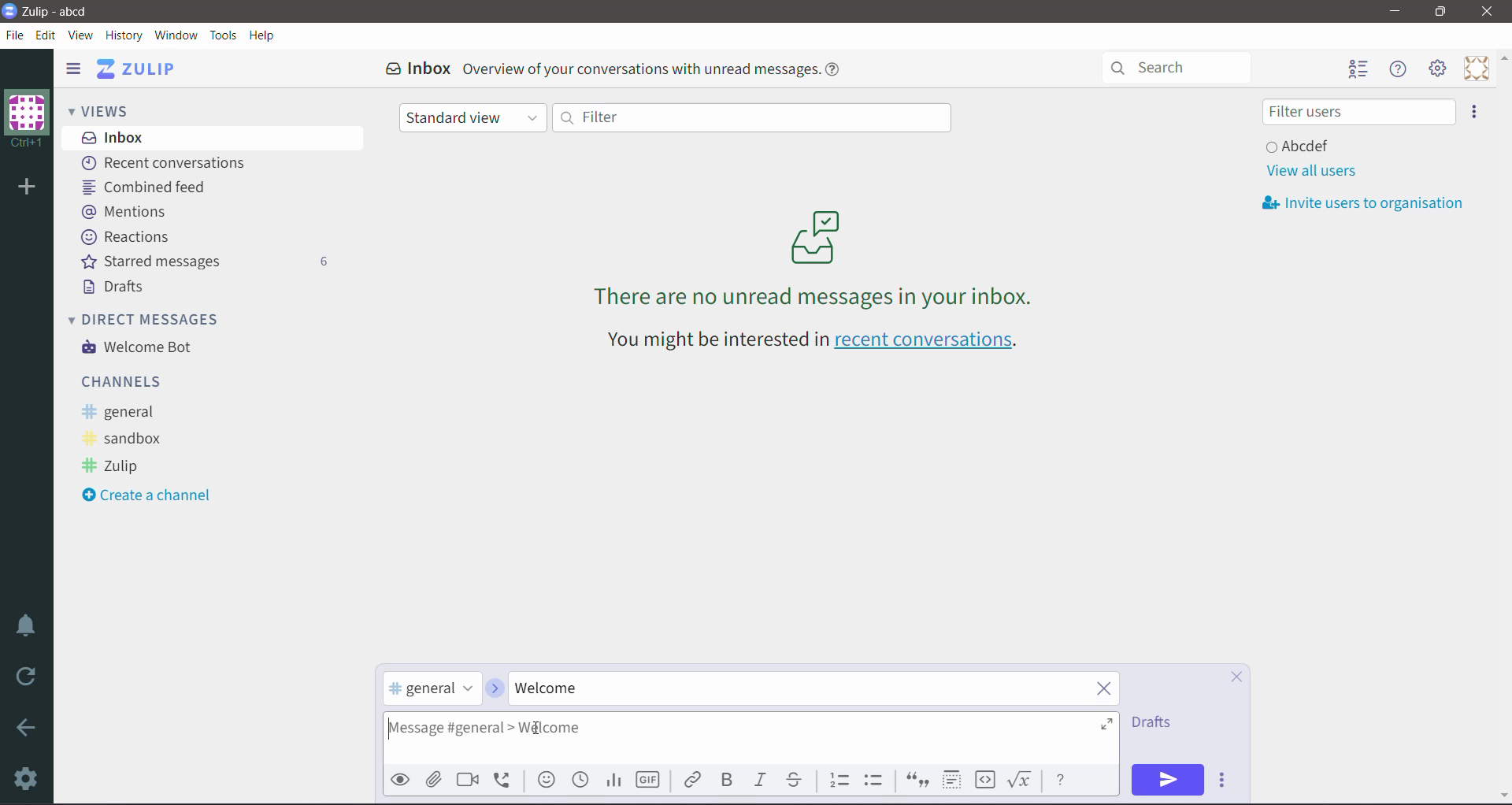  Describe the element at coordinates (124, 412) in the screenshot. I see `general` at that location.